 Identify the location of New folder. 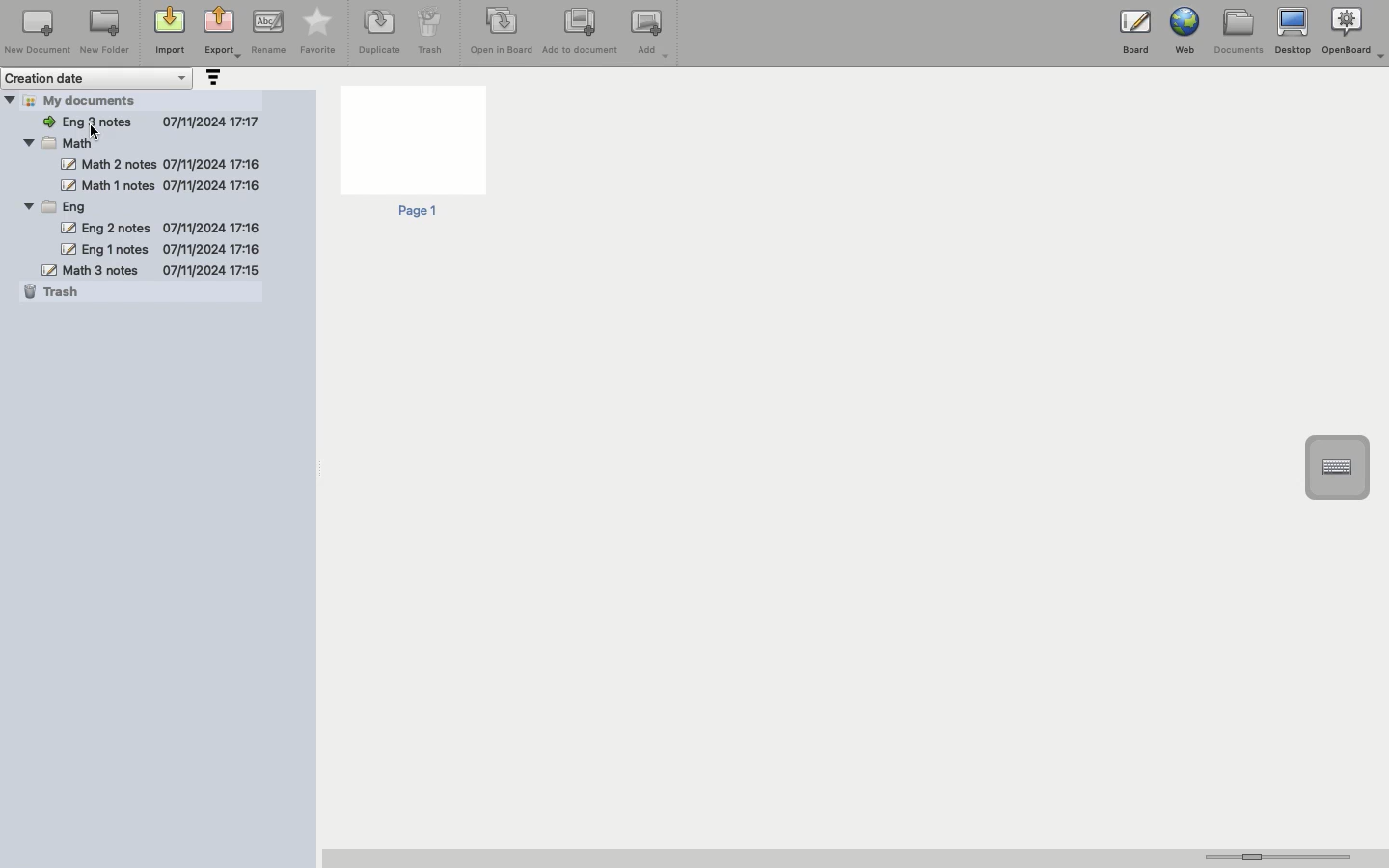
(103, 33).